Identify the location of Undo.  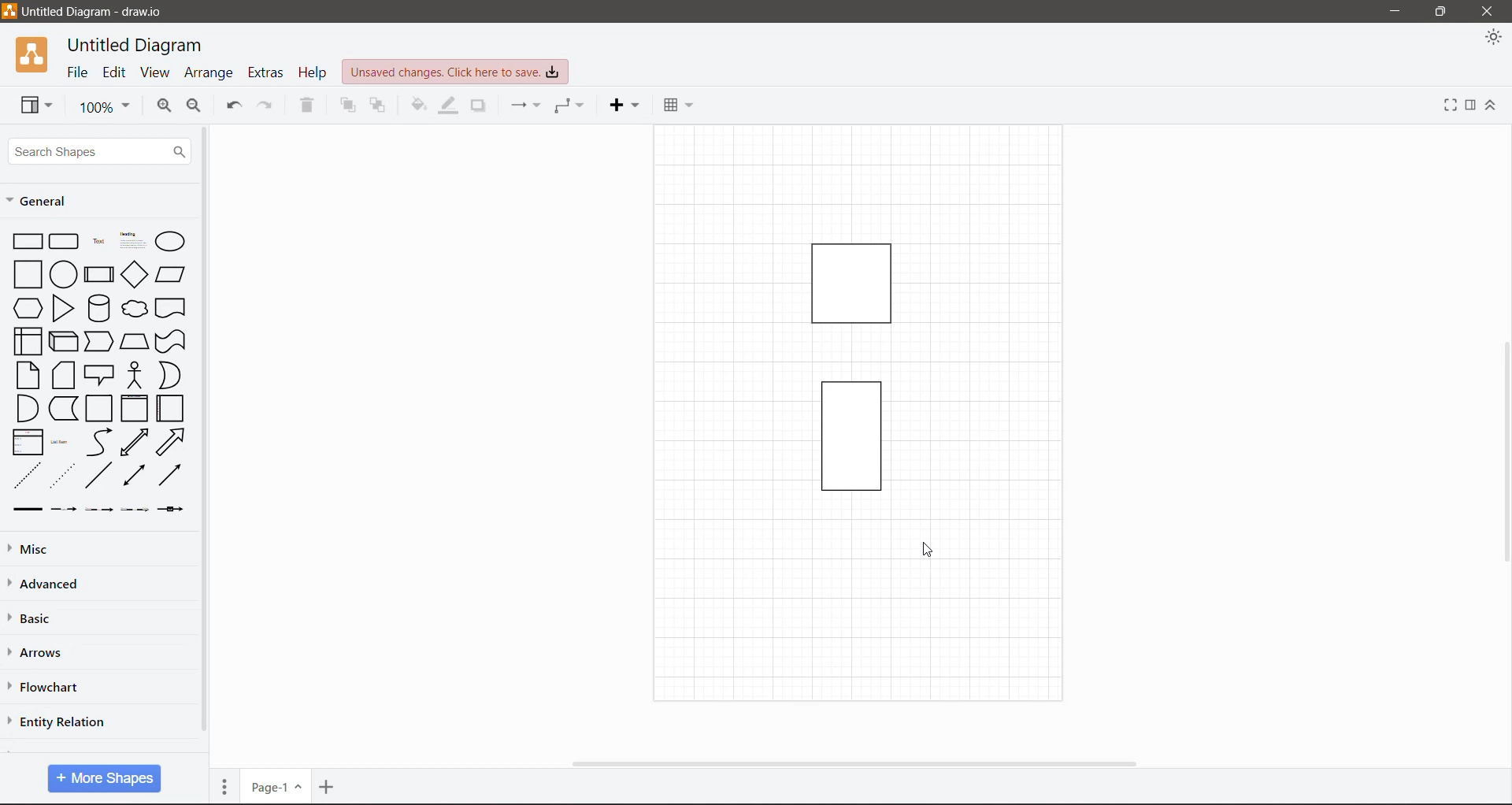
(234, 106).